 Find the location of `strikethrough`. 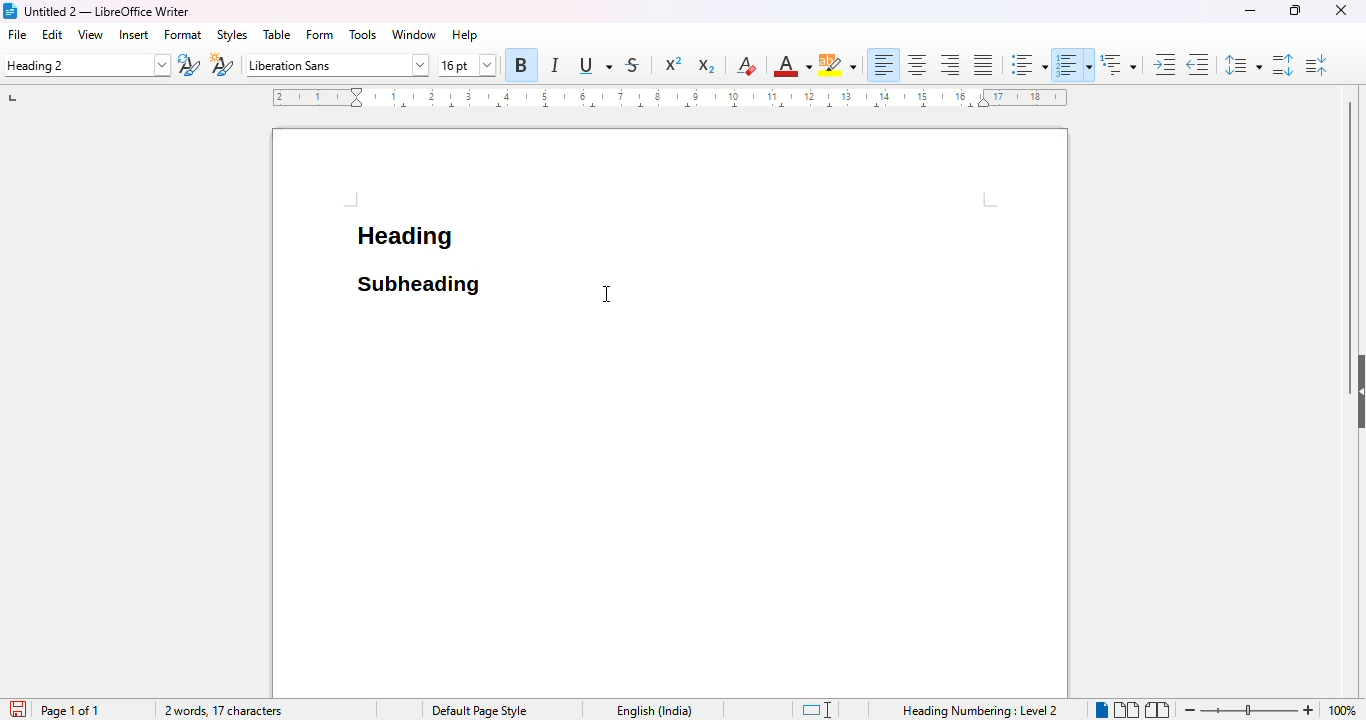

strikethrough is located at coordinates (633, 66).